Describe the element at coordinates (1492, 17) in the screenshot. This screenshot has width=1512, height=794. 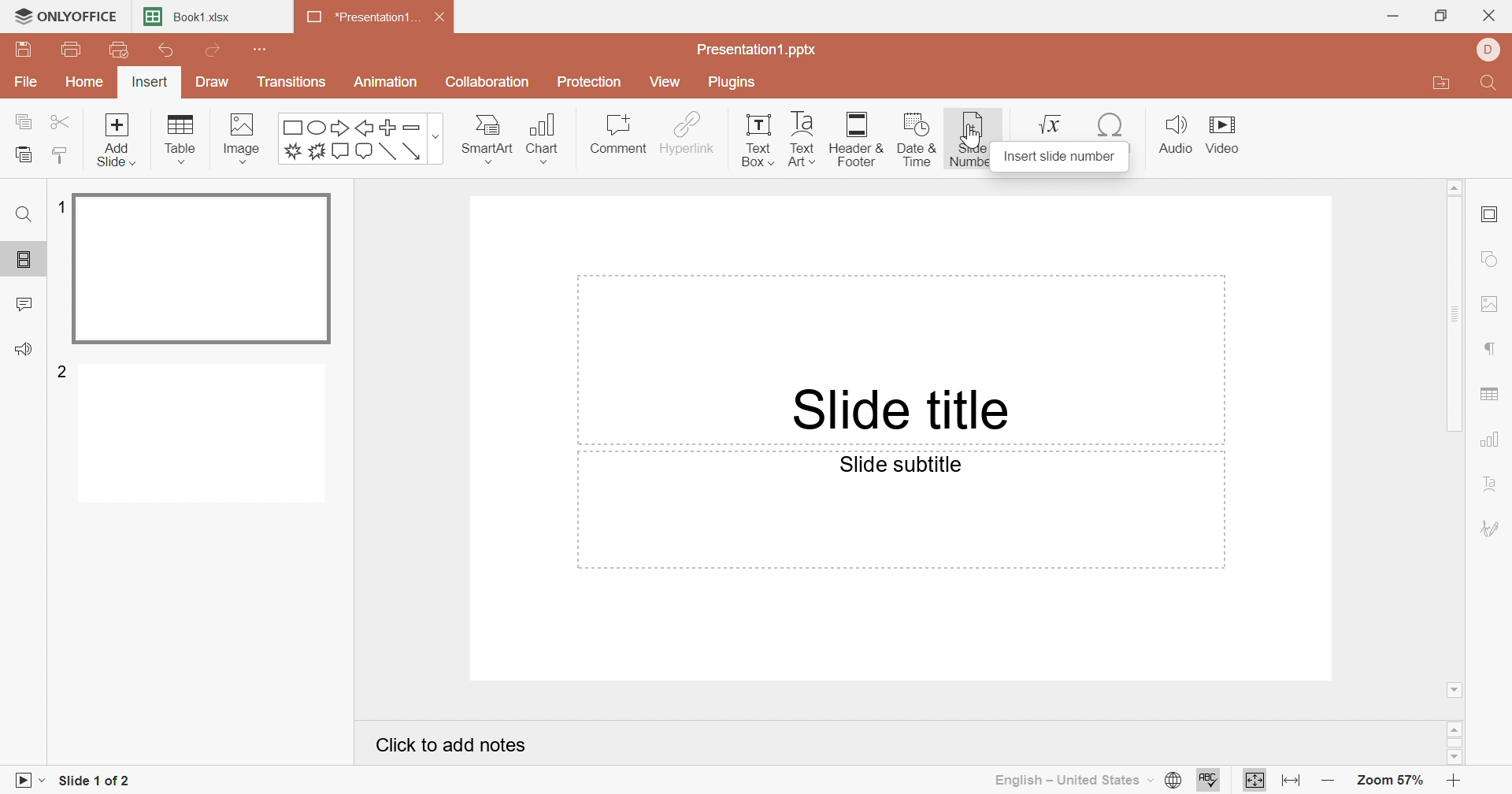
I see `Close` at that location.